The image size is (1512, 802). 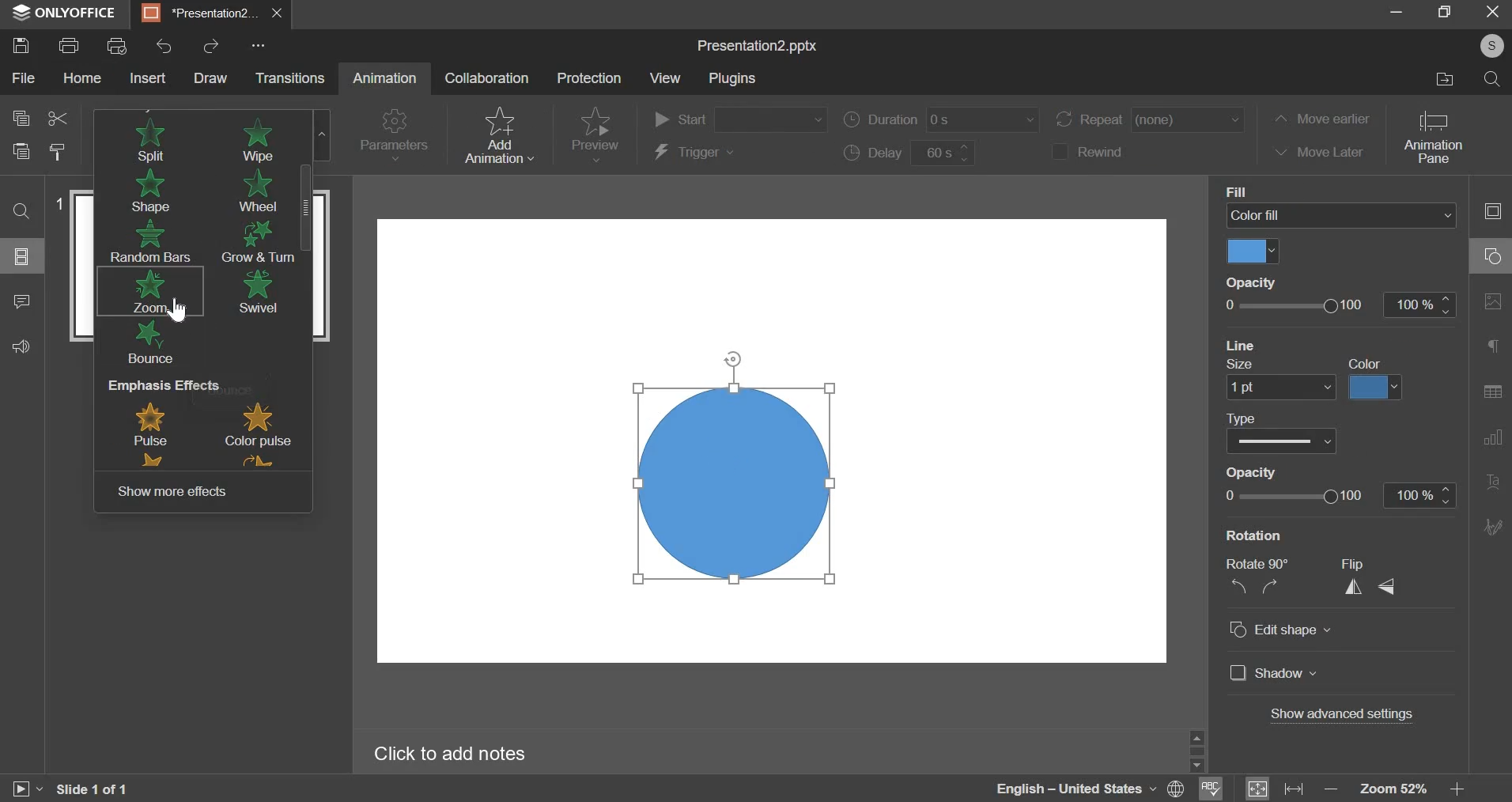 I want to click on language, so click(x=1090, y=789).